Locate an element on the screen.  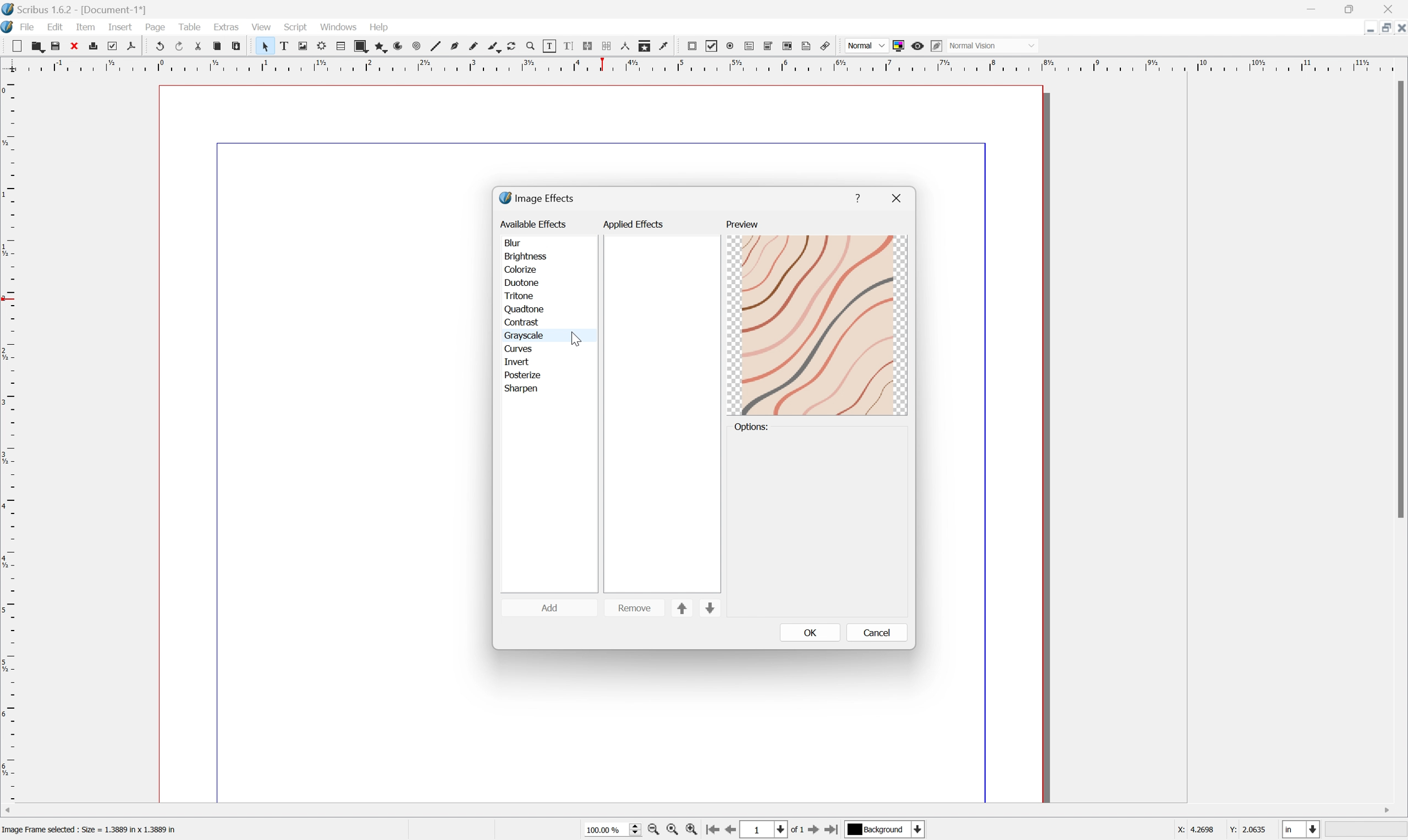
sharpen is located at coordinates (523, 389).